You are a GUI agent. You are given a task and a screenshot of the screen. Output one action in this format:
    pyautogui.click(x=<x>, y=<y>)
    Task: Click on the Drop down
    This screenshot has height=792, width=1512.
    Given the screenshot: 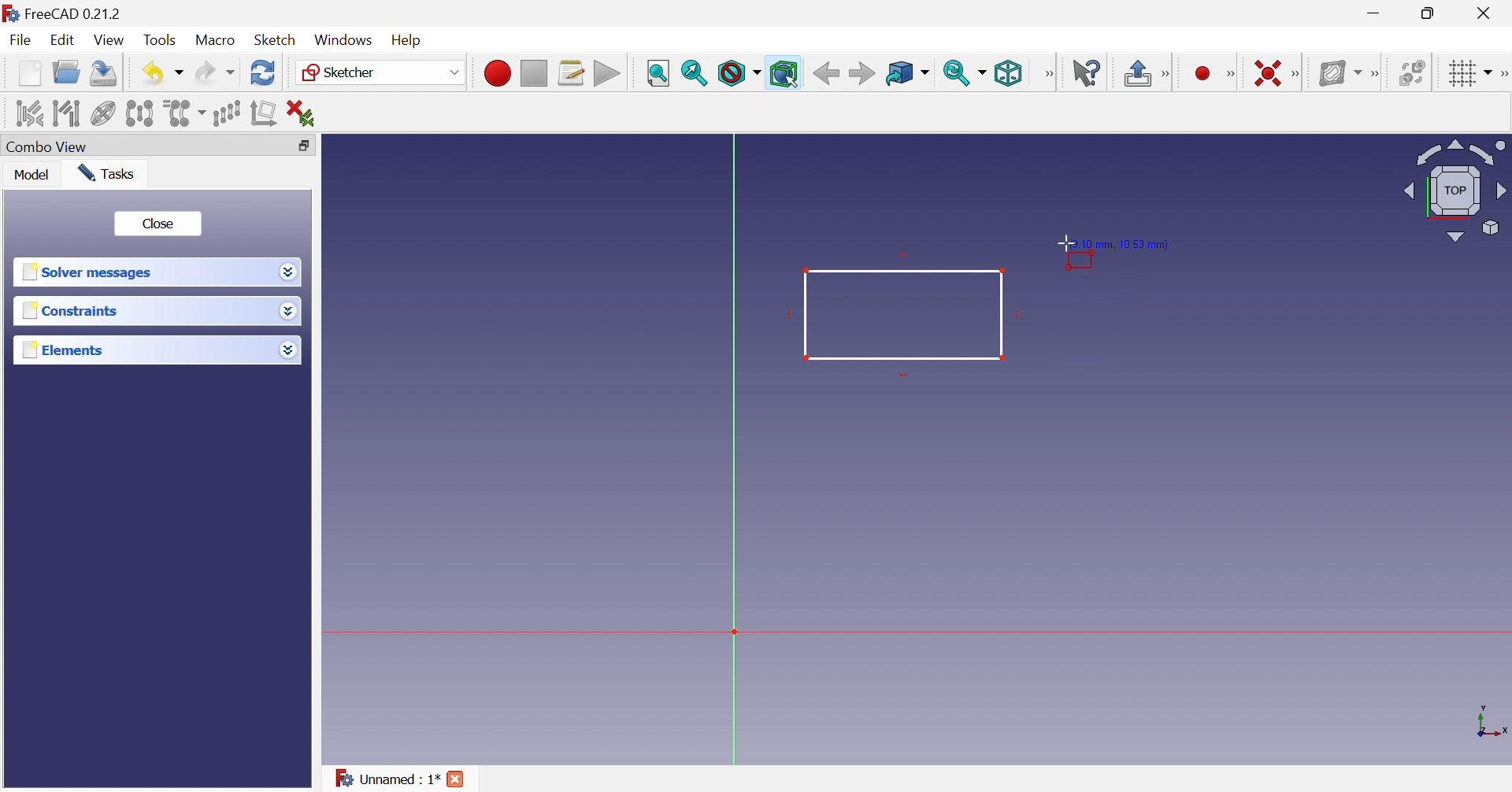 What is the action you would take?
    pyautogui.click(x=291, y=273)
    